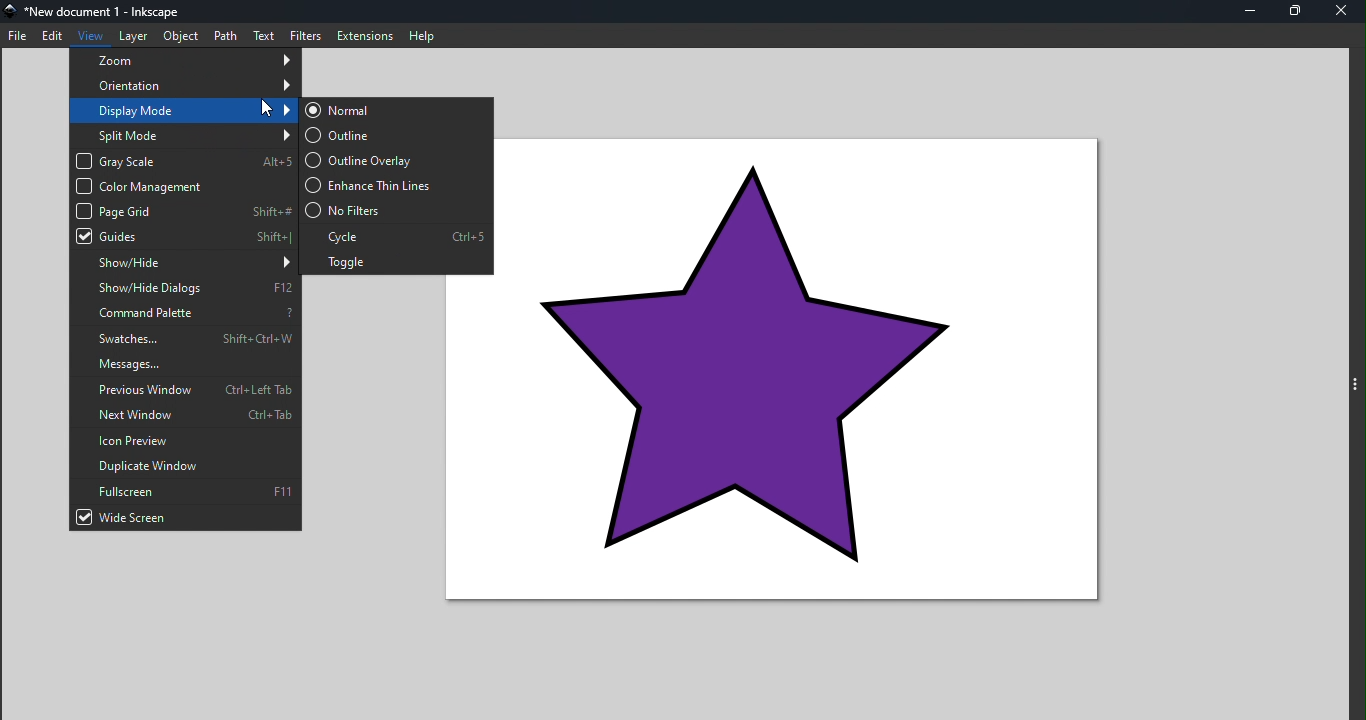 The width and height of the screenshot is (1366, 720). I want to click on Icon preview, so click(185, 440).